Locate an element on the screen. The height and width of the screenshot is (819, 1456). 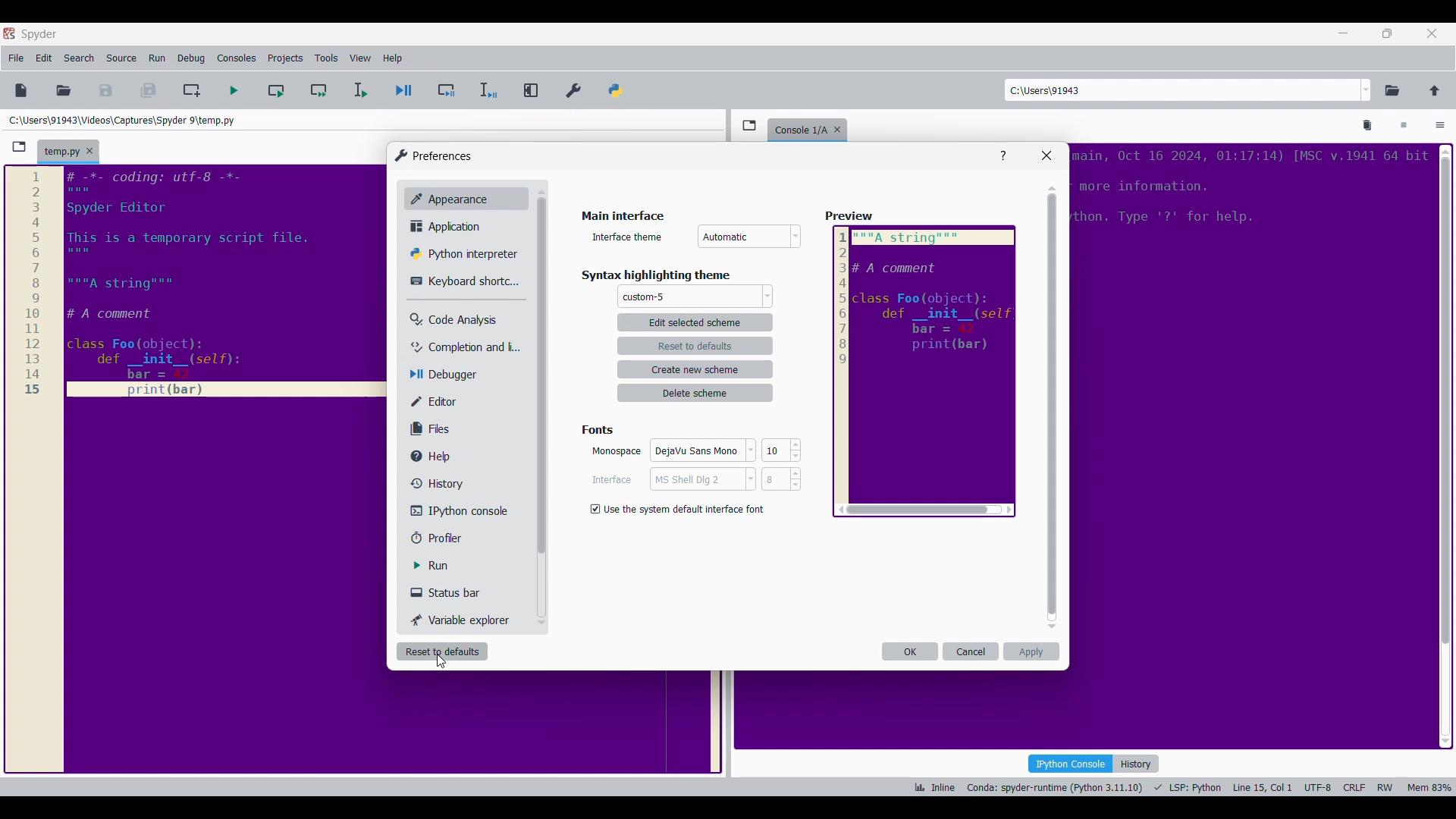
Line 15, Col 1 is located at coordinates (1263, 786).